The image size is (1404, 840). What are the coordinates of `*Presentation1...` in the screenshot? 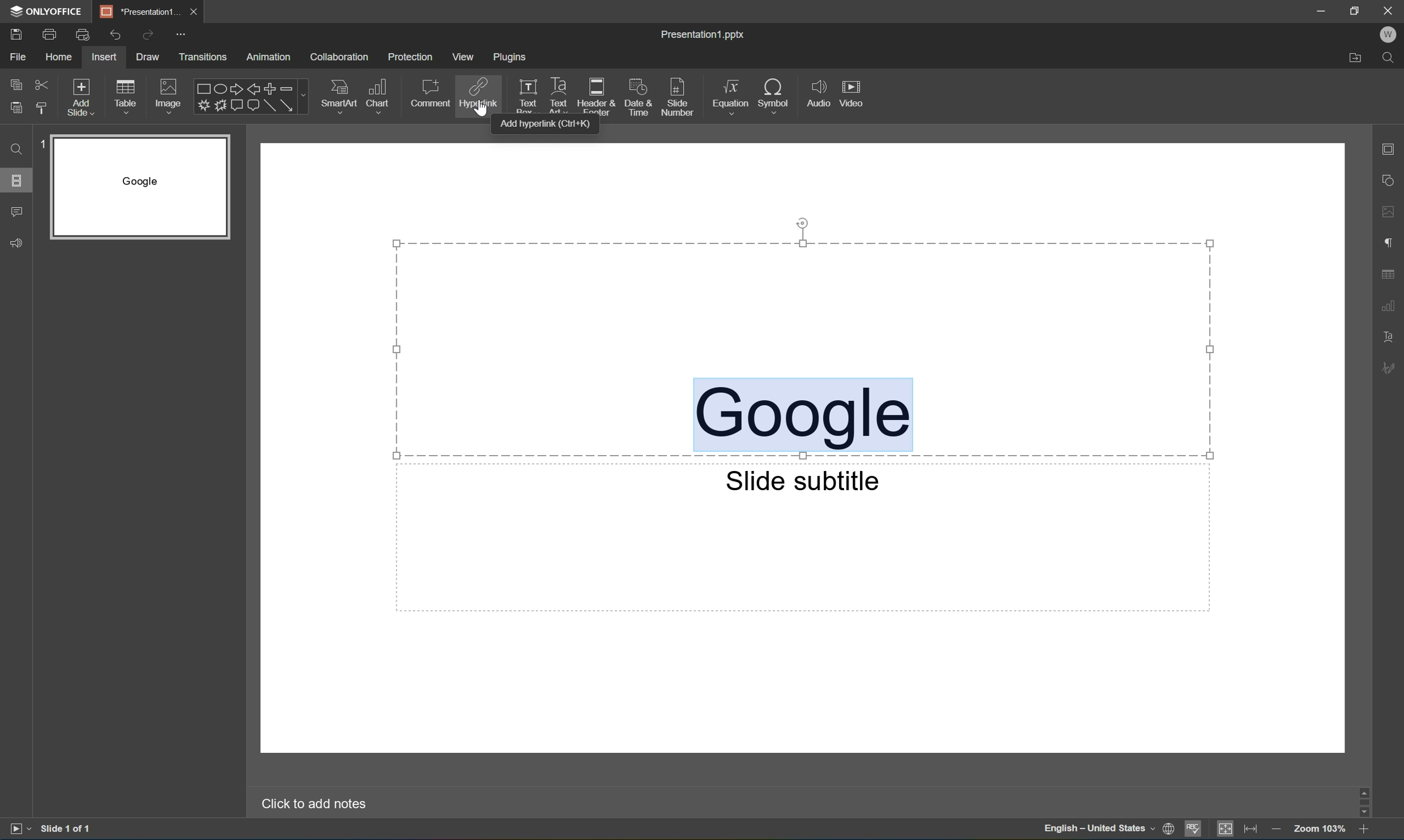 It's located at (139, 9).